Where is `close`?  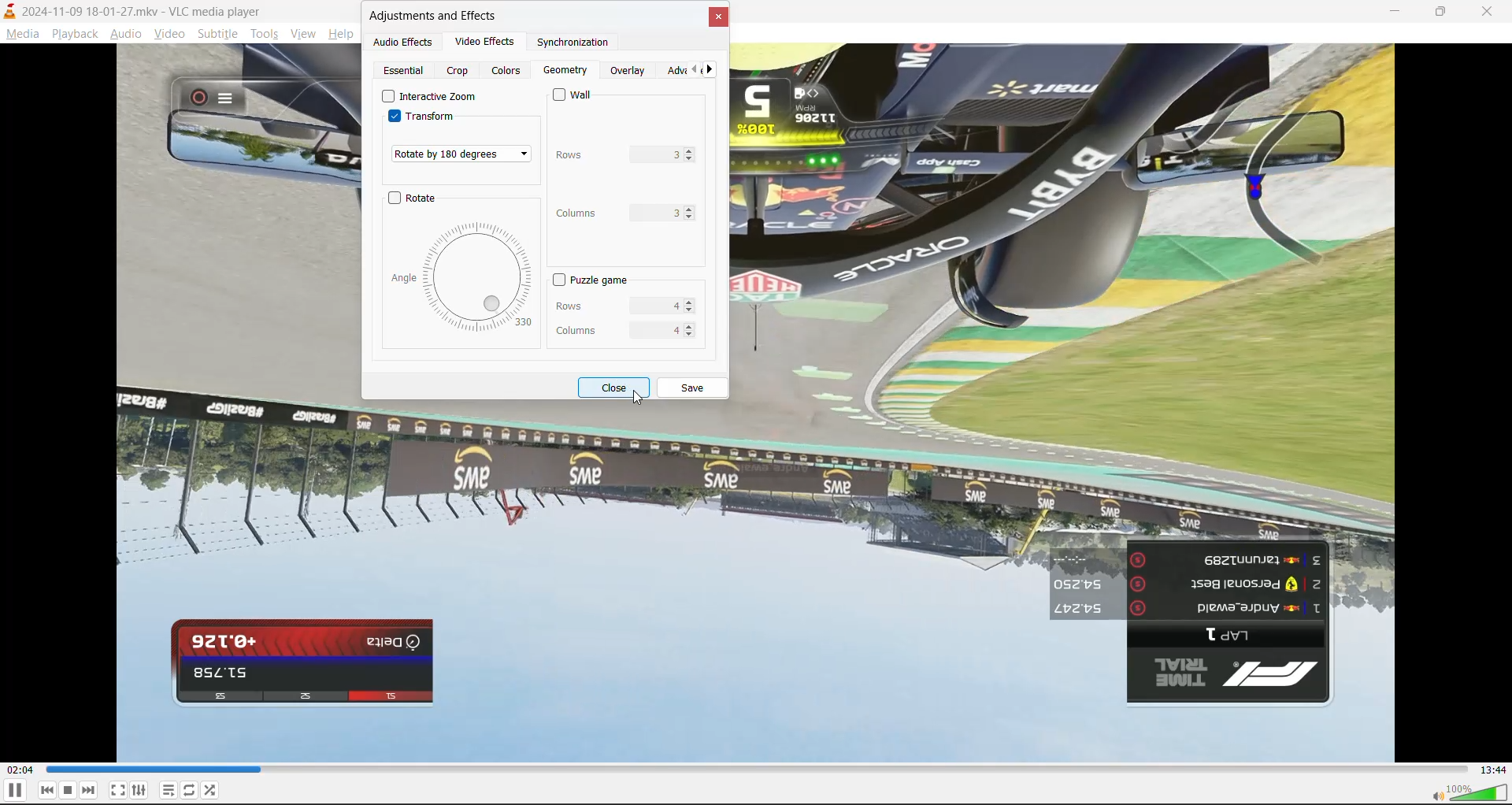 close is located at coordinates (617, 387).